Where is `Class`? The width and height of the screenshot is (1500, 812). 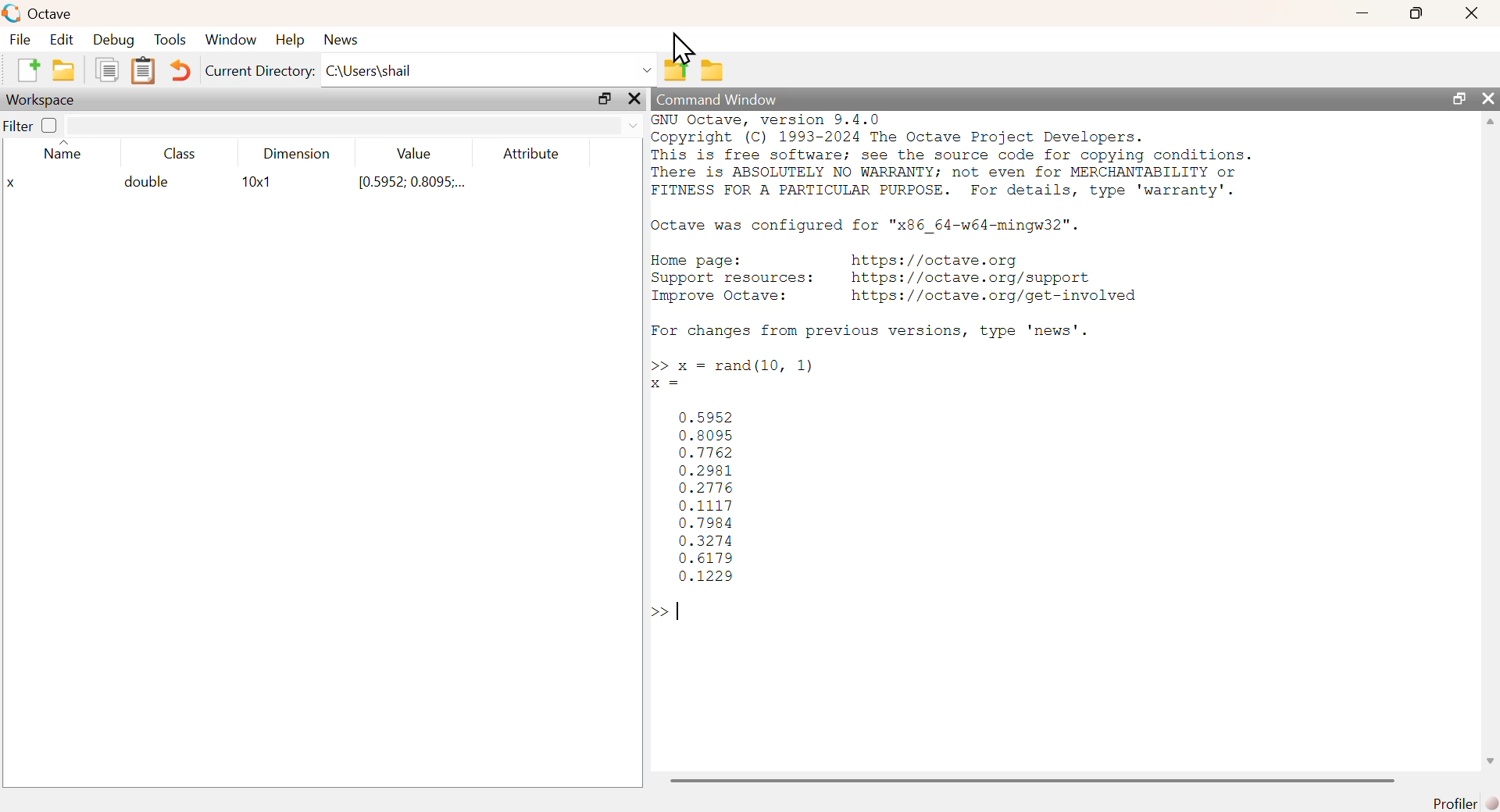 Class is located at coordinates (186, 155).